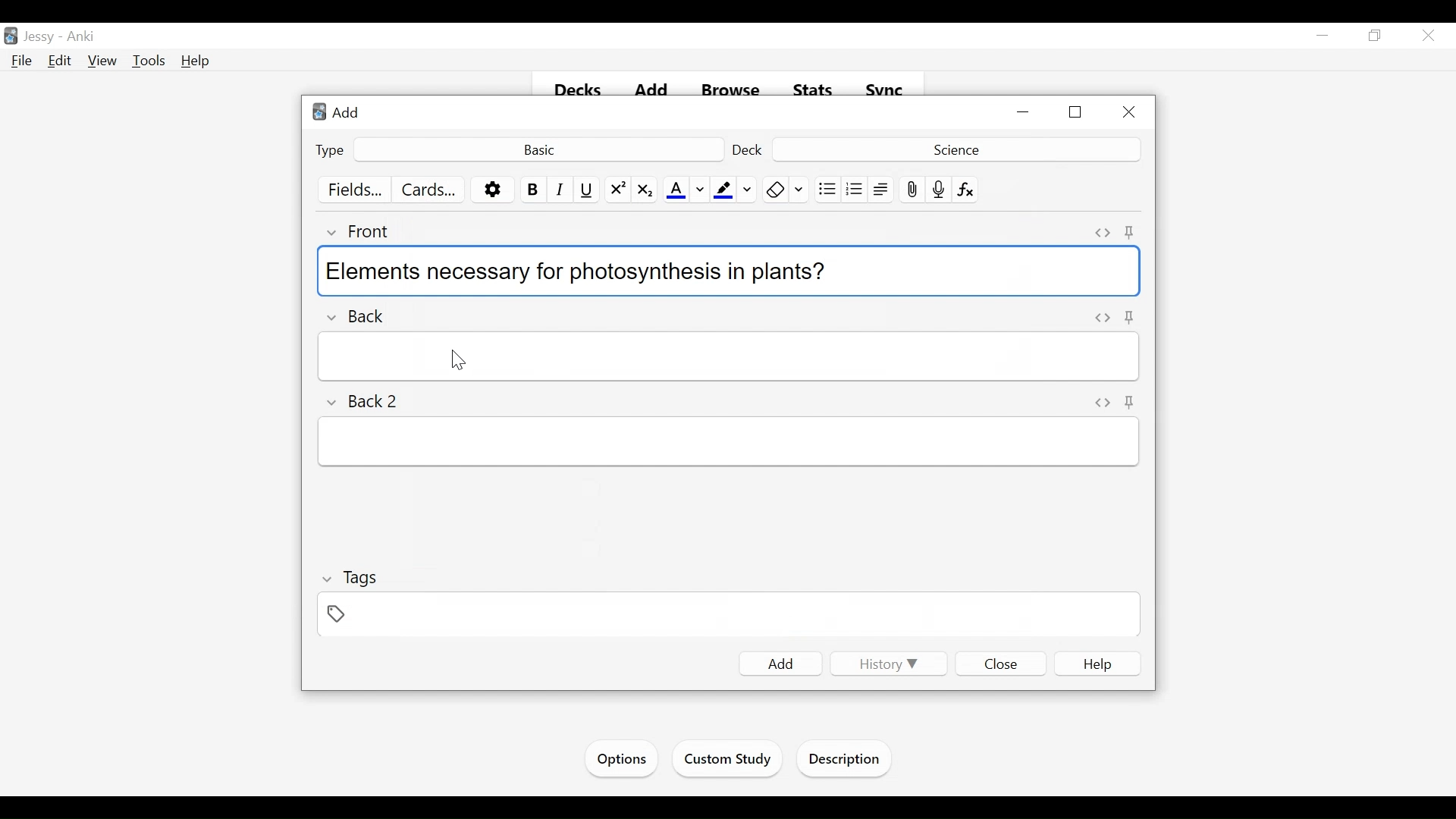 The image size is (1456, 819). Describe the element at coordinates (731, 356) in the screenshot. I see `Elements necessary for photosynthesis in plants?` at that location.